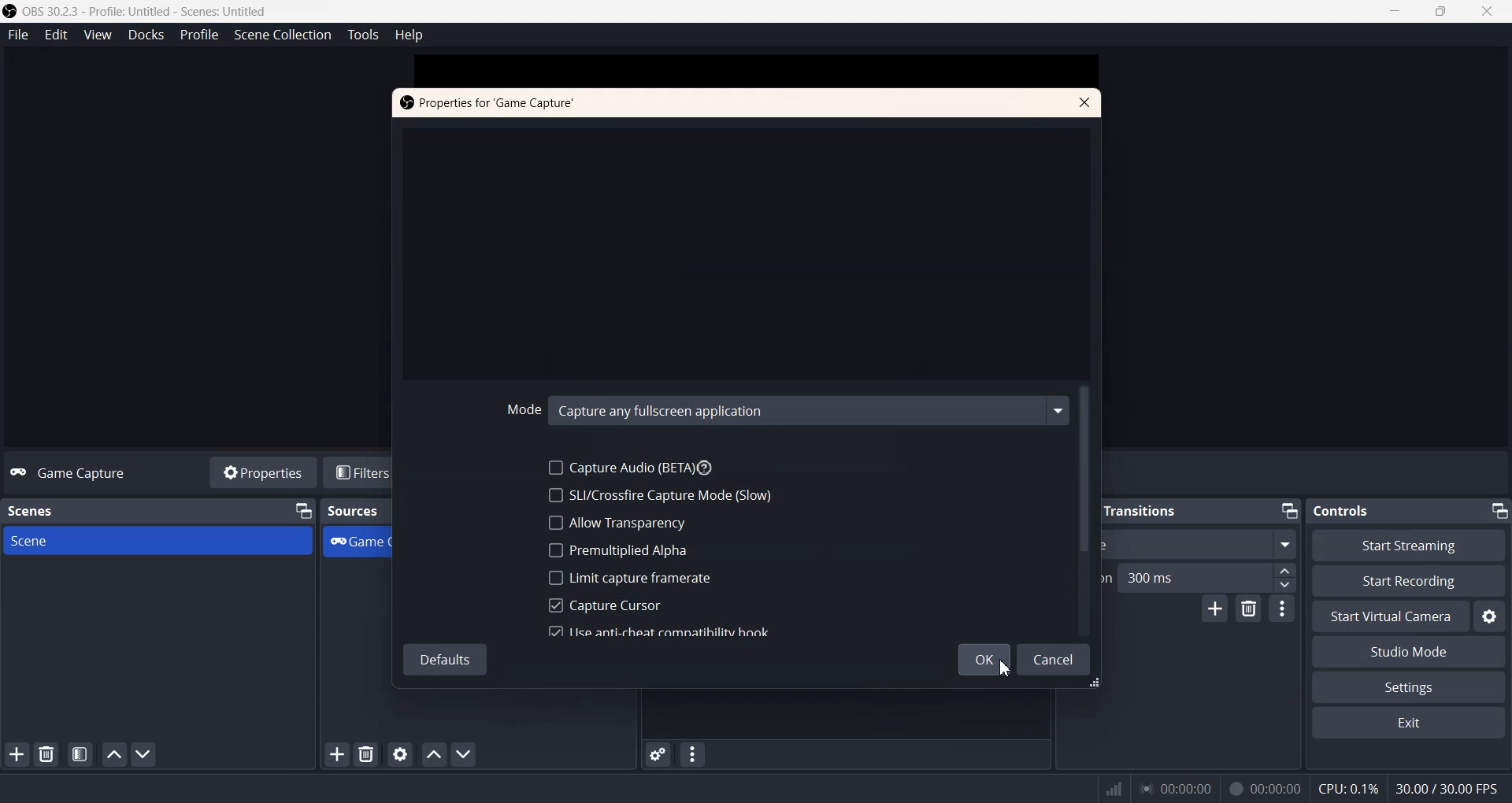  What do you see at coordinates (619, 522) in the screenshot?
I see `Allow Transparency` at bounding box center [619, 522].